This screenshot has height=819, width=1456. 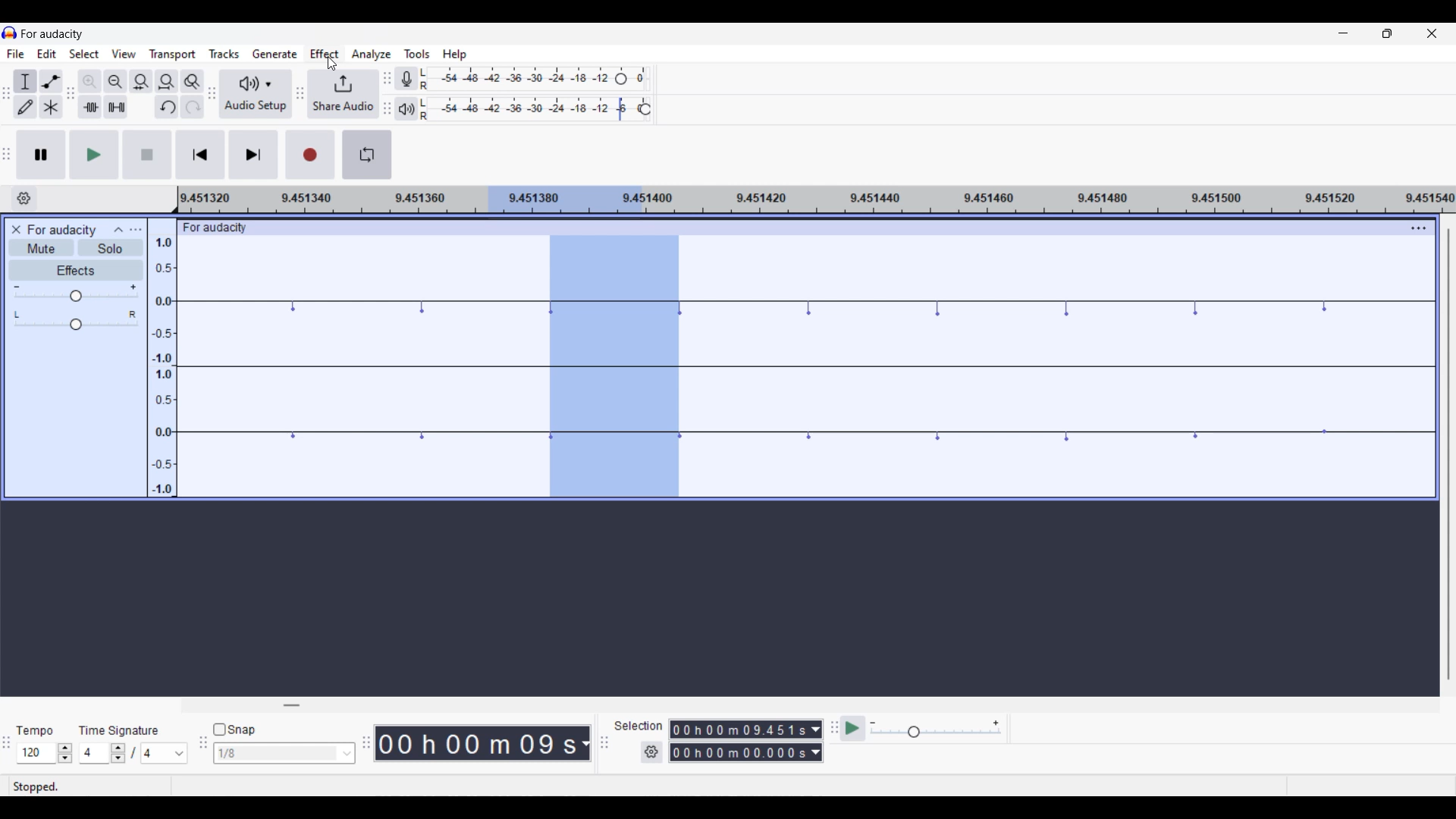 I want to click on View menu, so click(x=124, y=53).